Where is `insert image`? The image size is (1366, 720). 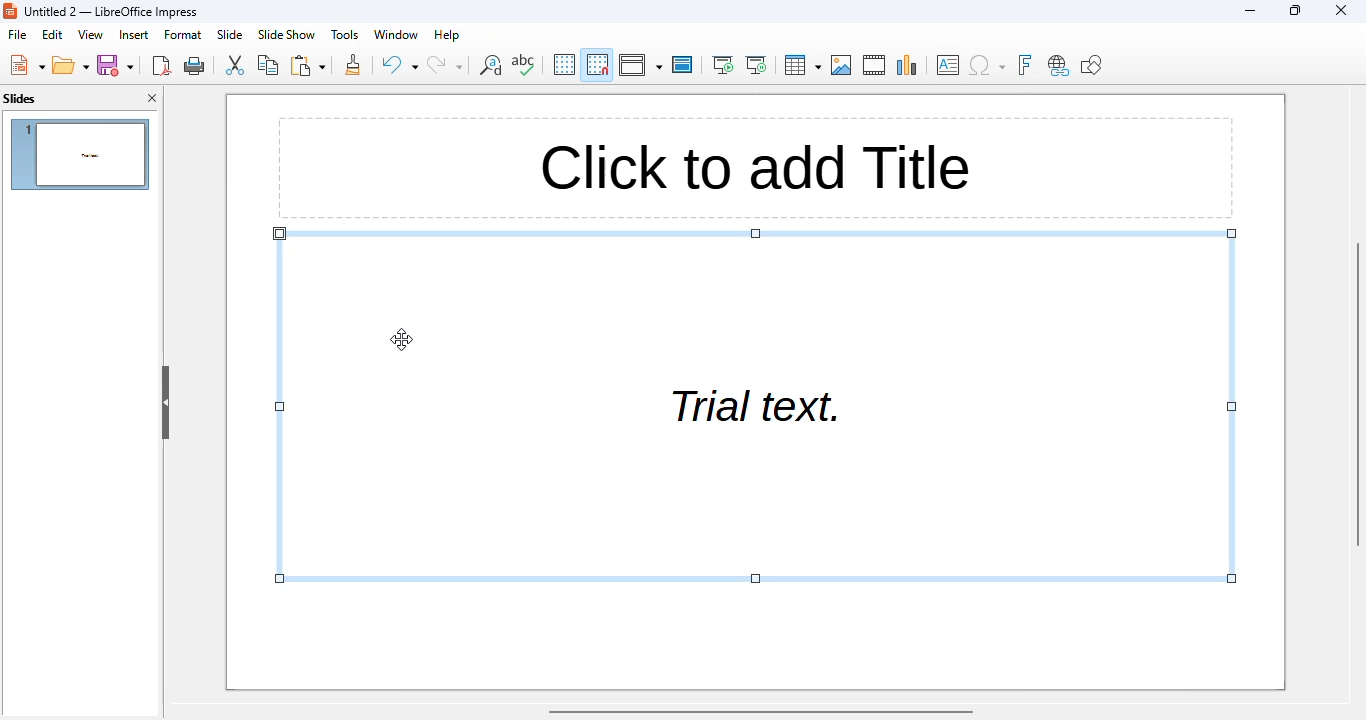 insert image is located at coordinates (842, 65).